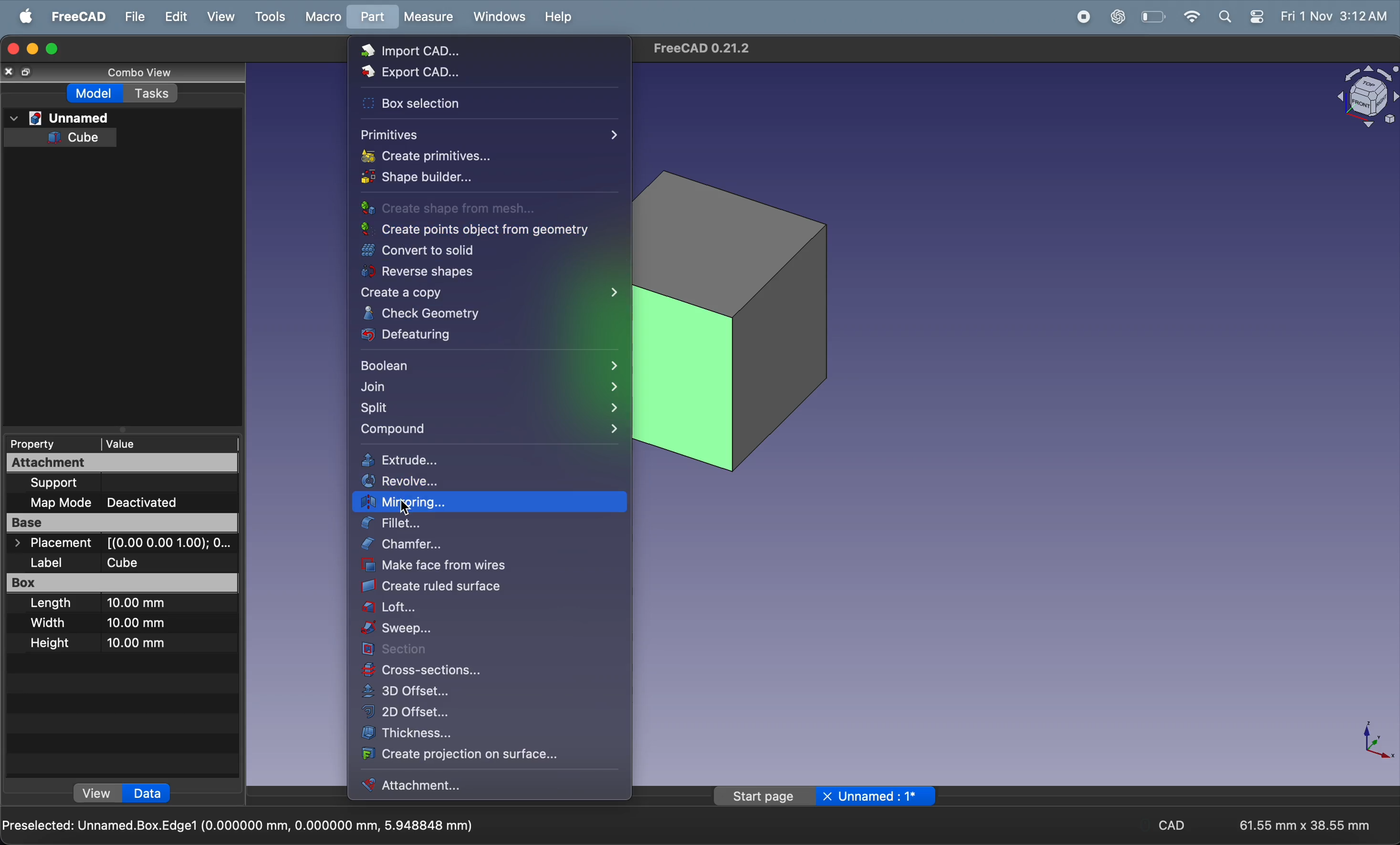  Describe the element at coordinates (455, 207) in the screenshot. I see `create shape from mesh` at that location.